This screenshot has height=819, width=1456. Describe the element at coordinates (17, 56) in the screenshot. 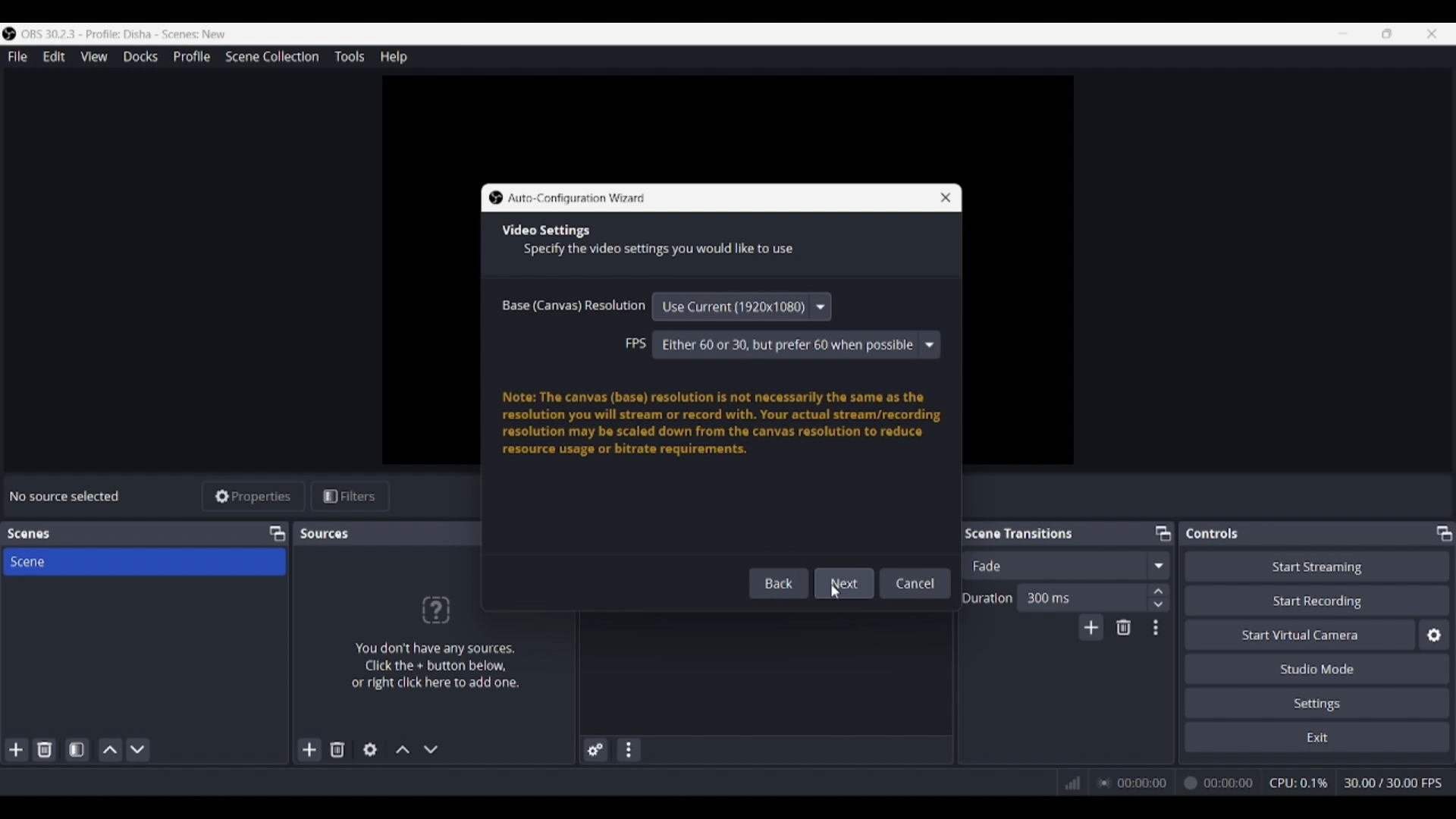

I see `File menu` at that location.